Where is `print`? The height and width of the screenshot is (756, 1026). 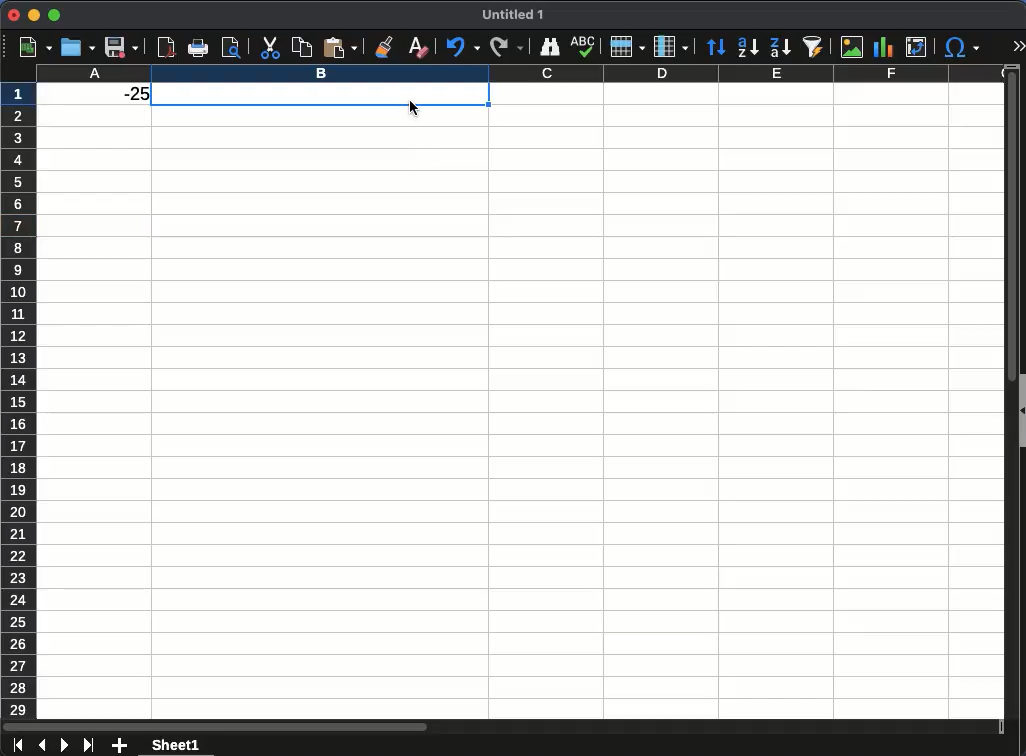
print is located at coordinates (199, 48).